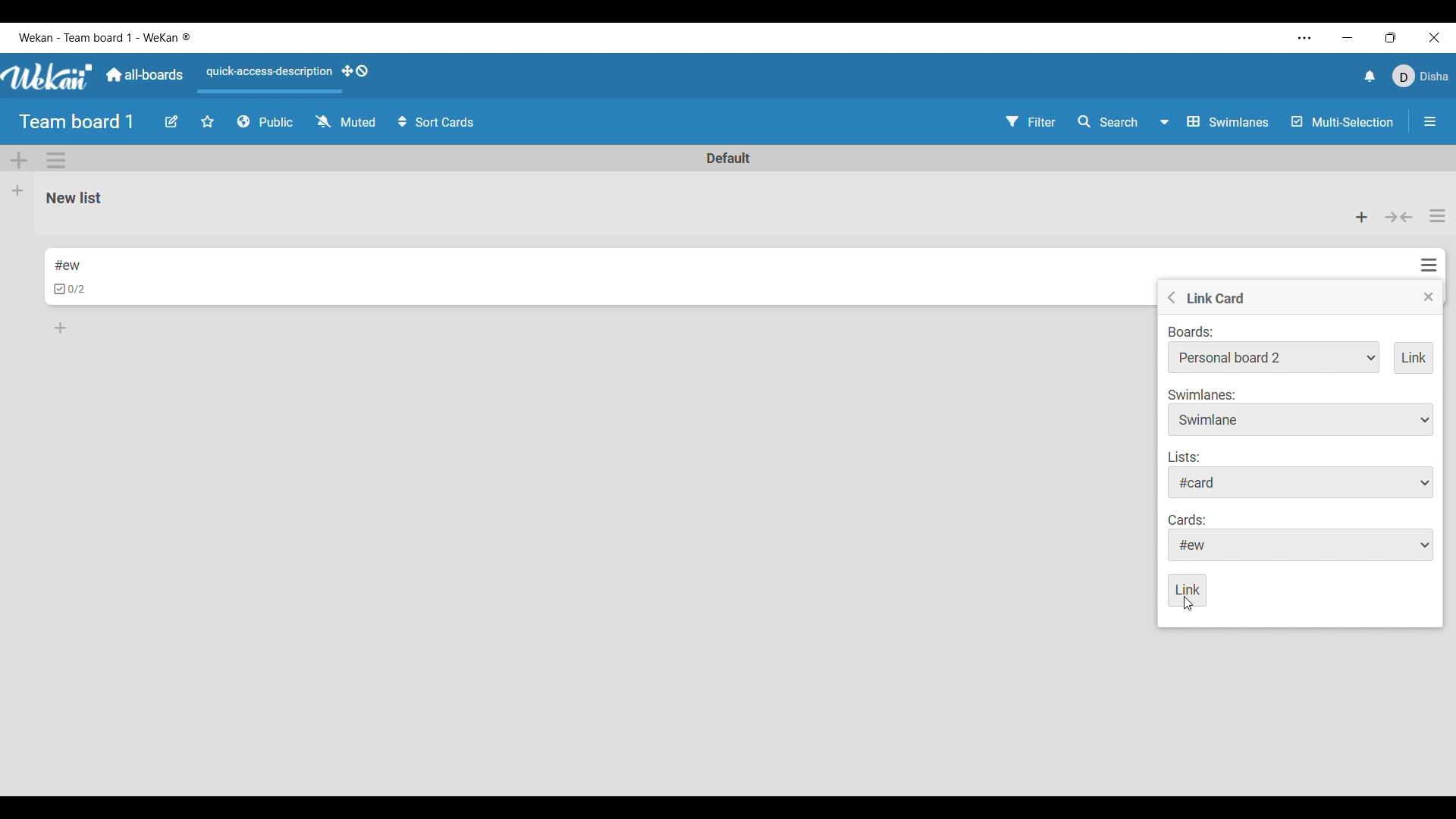 The image size is (1456, 819). What do you see at coordinates (105, 37) in the screenshot?
I see `Software and board name` at bounding box center [105, 37].